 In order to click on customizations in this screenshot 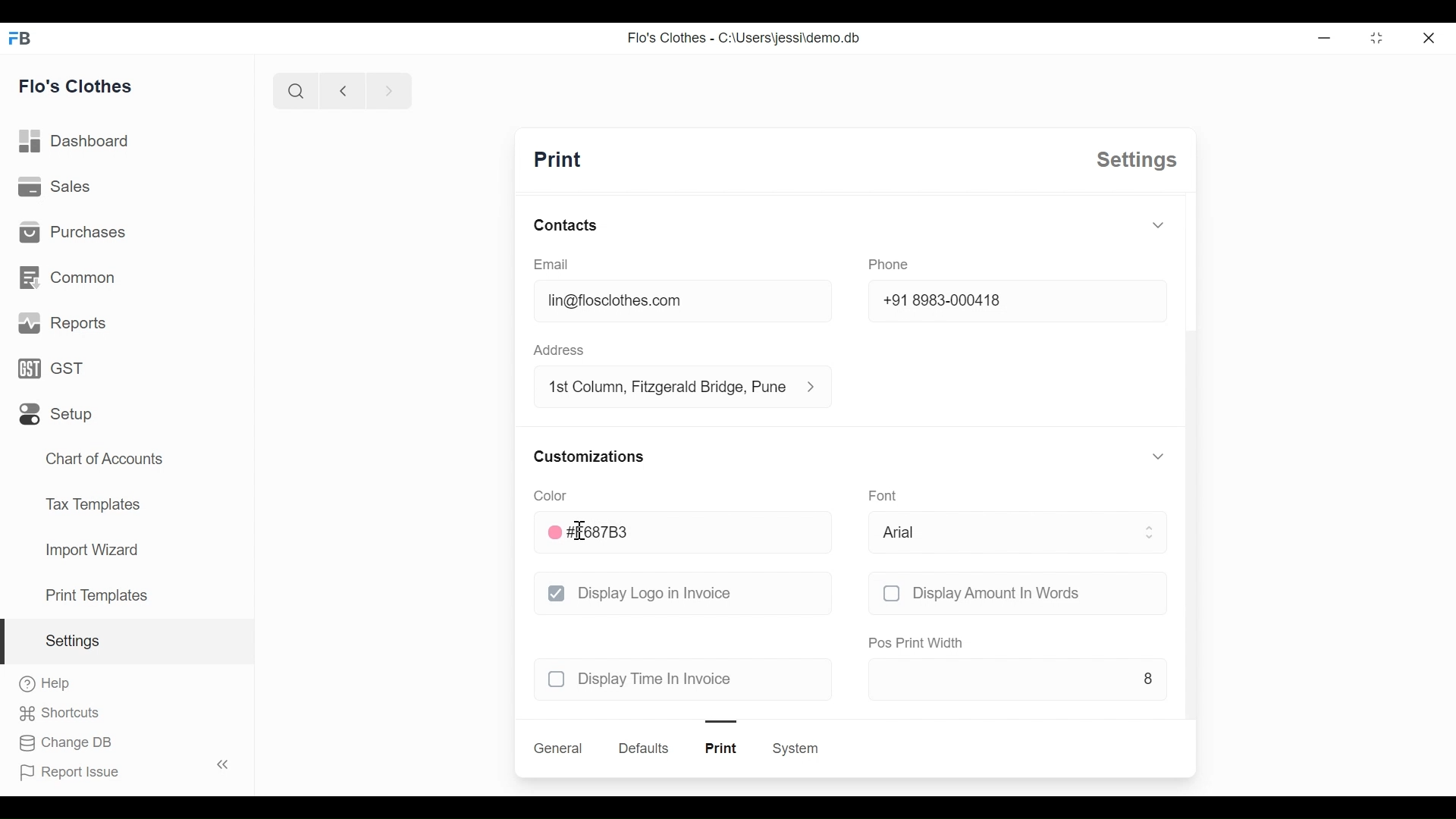, I will do `click(589, 457)`.